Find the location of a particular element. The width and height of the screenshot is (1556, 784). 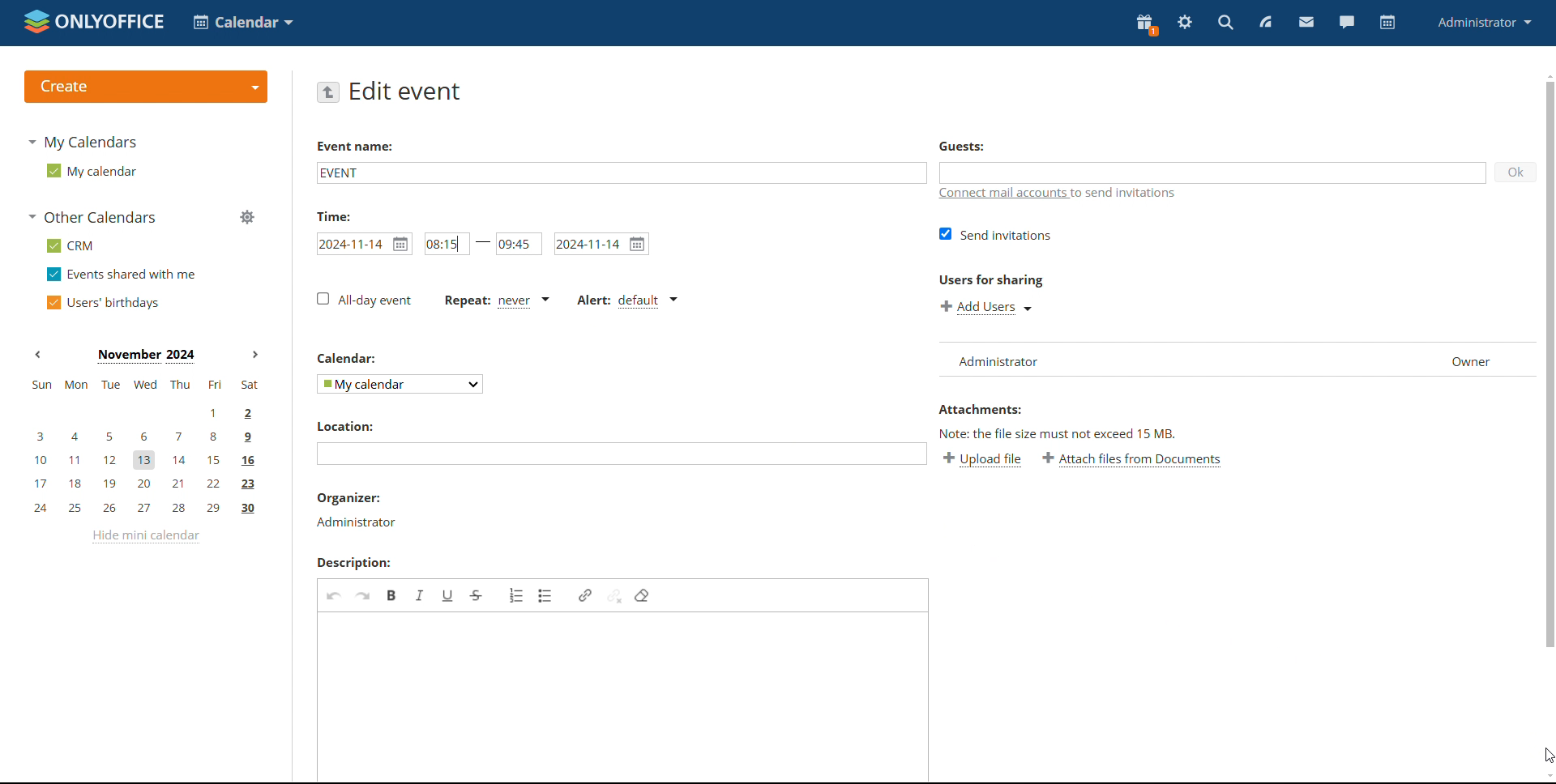

italic is located at coordinates (421, 596).